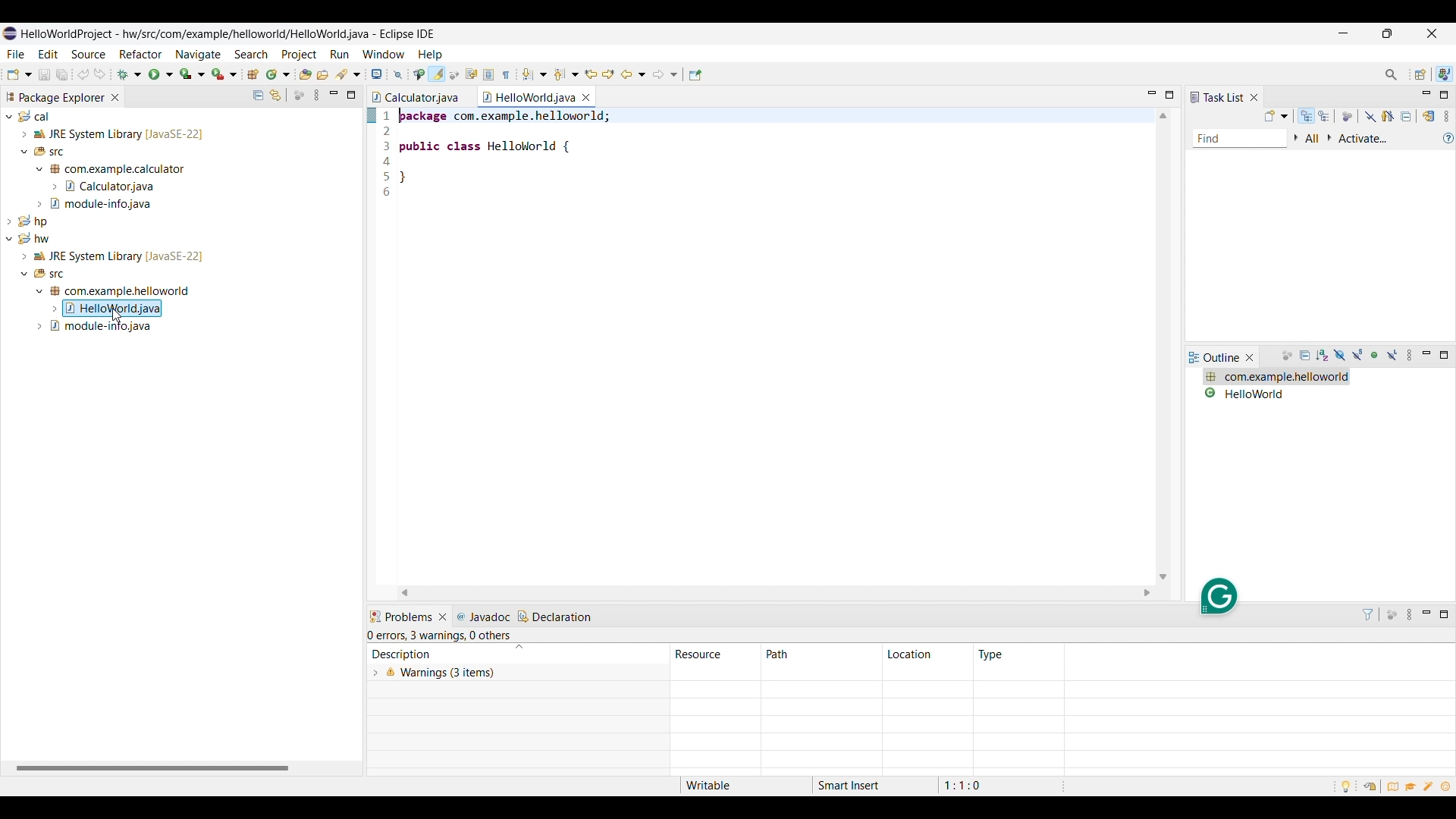 The image size is (1456, 819). What do you see at coordinates (1313, 139) in the screenshot?
I see `Edit task working sets` at bounding box center [1313, 139].